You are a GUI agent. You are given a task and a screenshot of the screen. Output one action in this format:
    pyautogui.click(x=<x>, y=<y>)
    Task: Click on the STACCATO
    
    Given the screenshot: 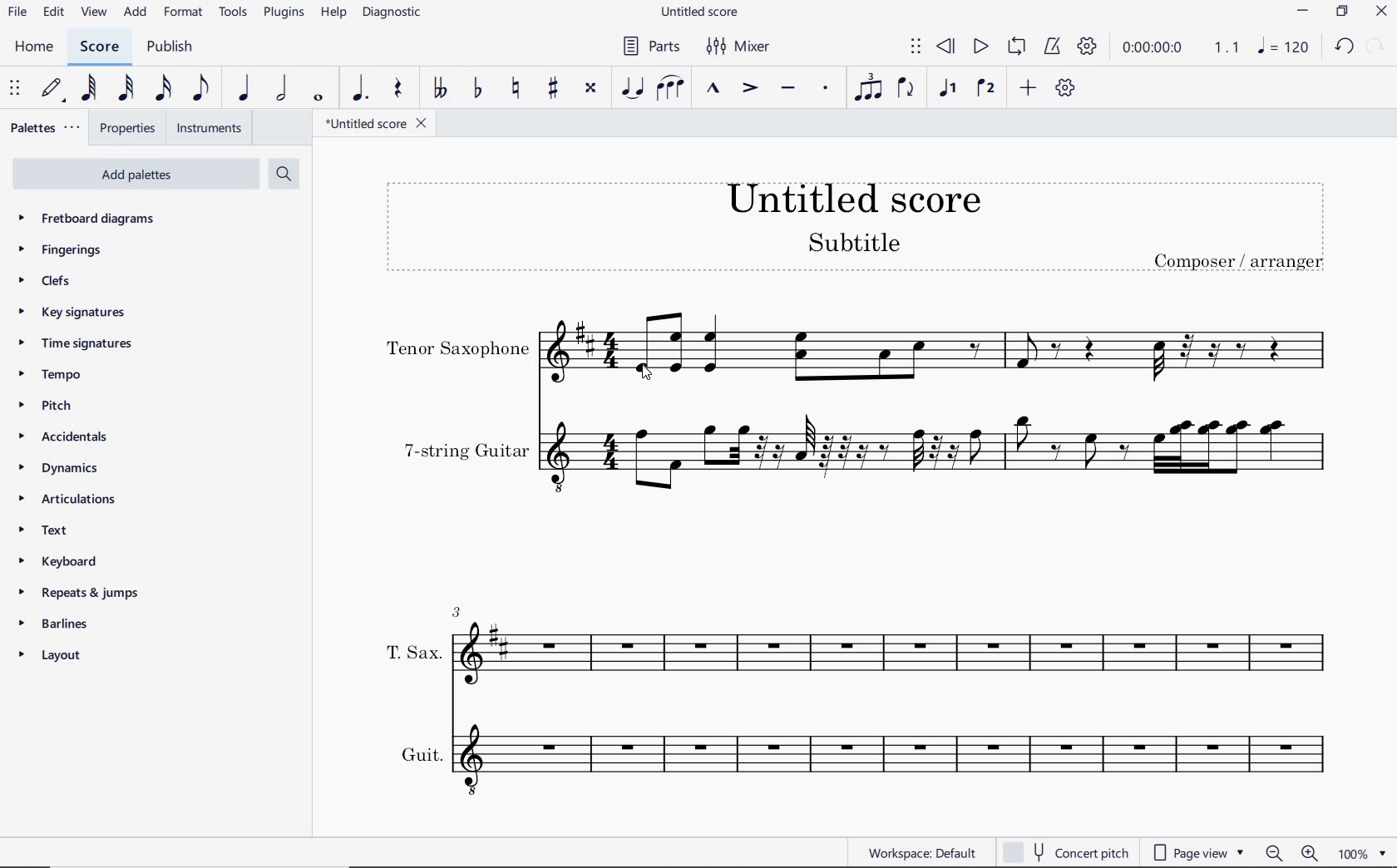 What is the action you would take?
    pyautogui.click(x=825, y=88)
    